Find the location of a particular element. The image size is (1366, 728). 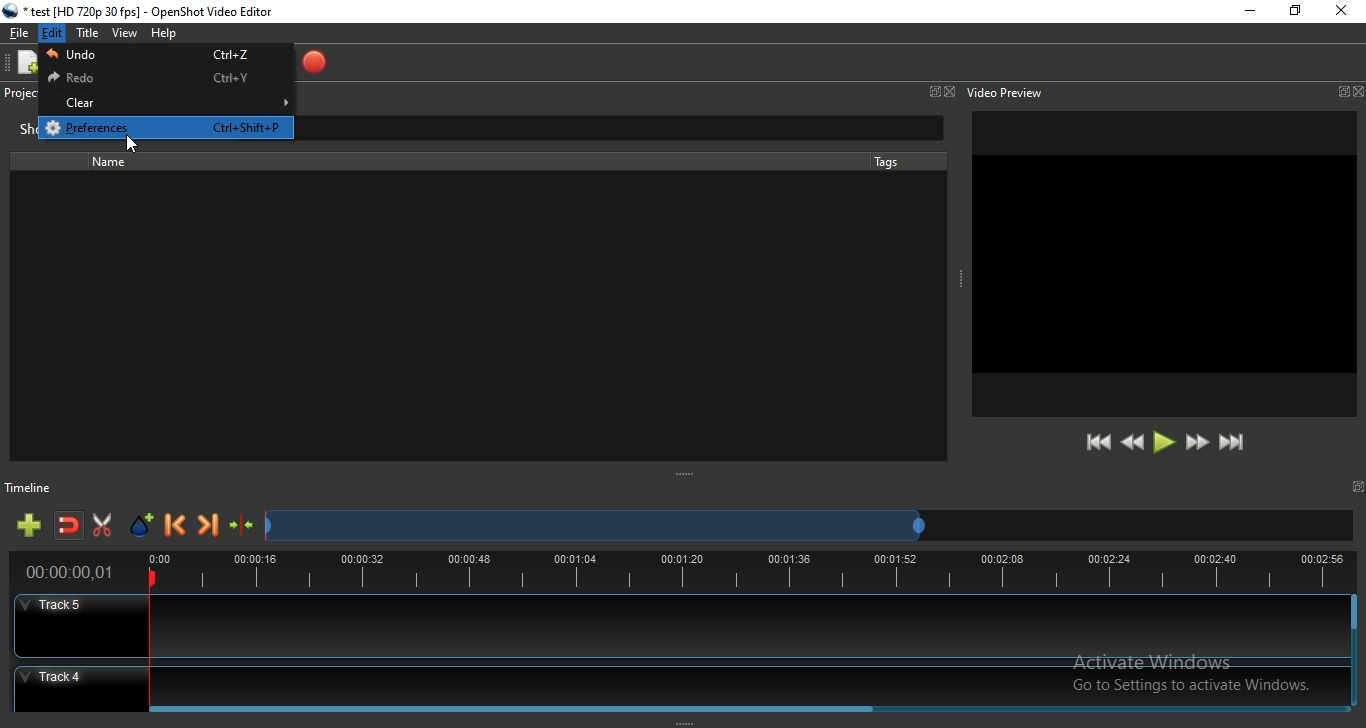

Centre the timeline on the playhead is located at coordinates (242, 529).